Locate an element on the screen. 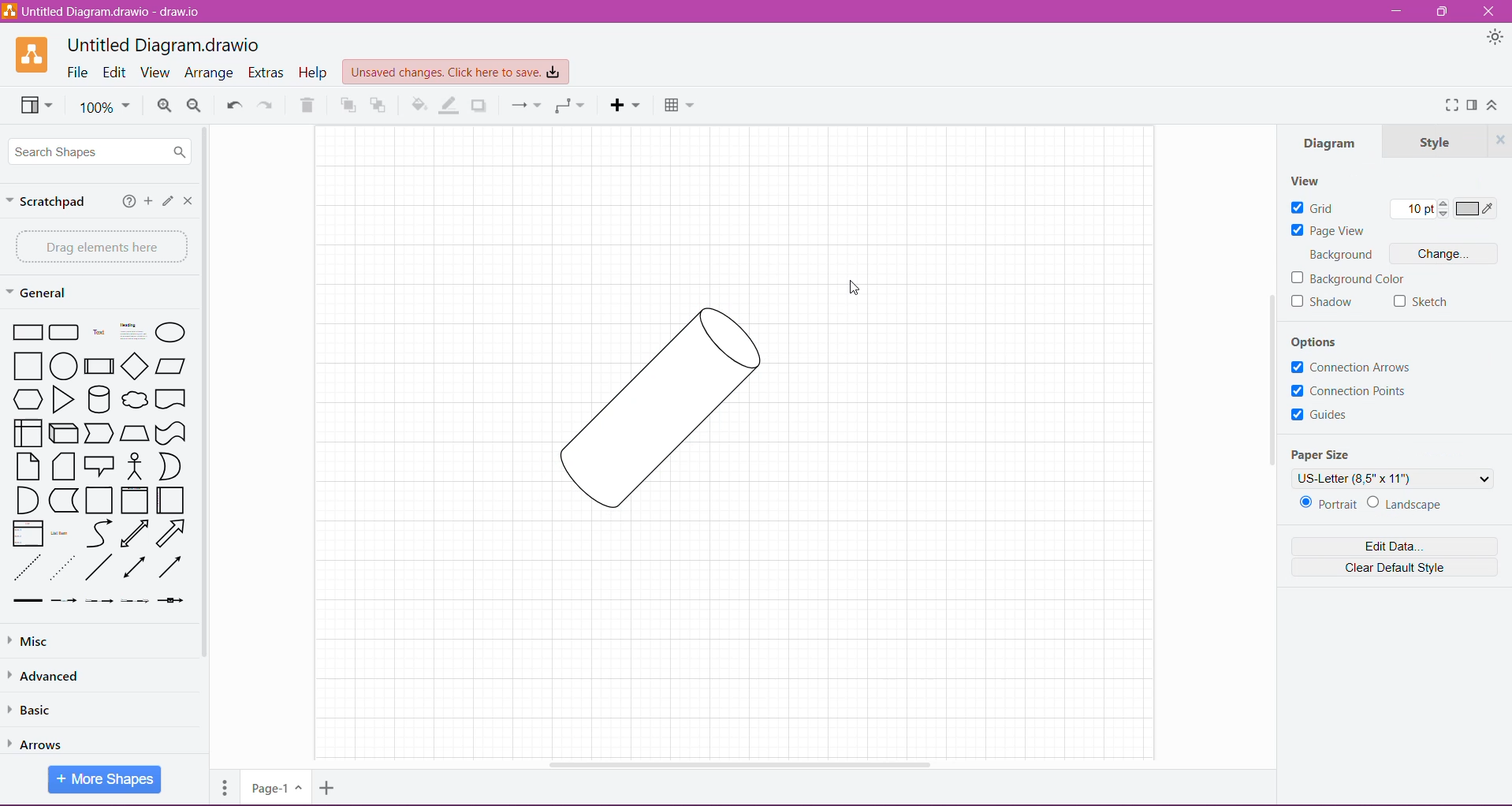   is located at coordinates (626, 106).